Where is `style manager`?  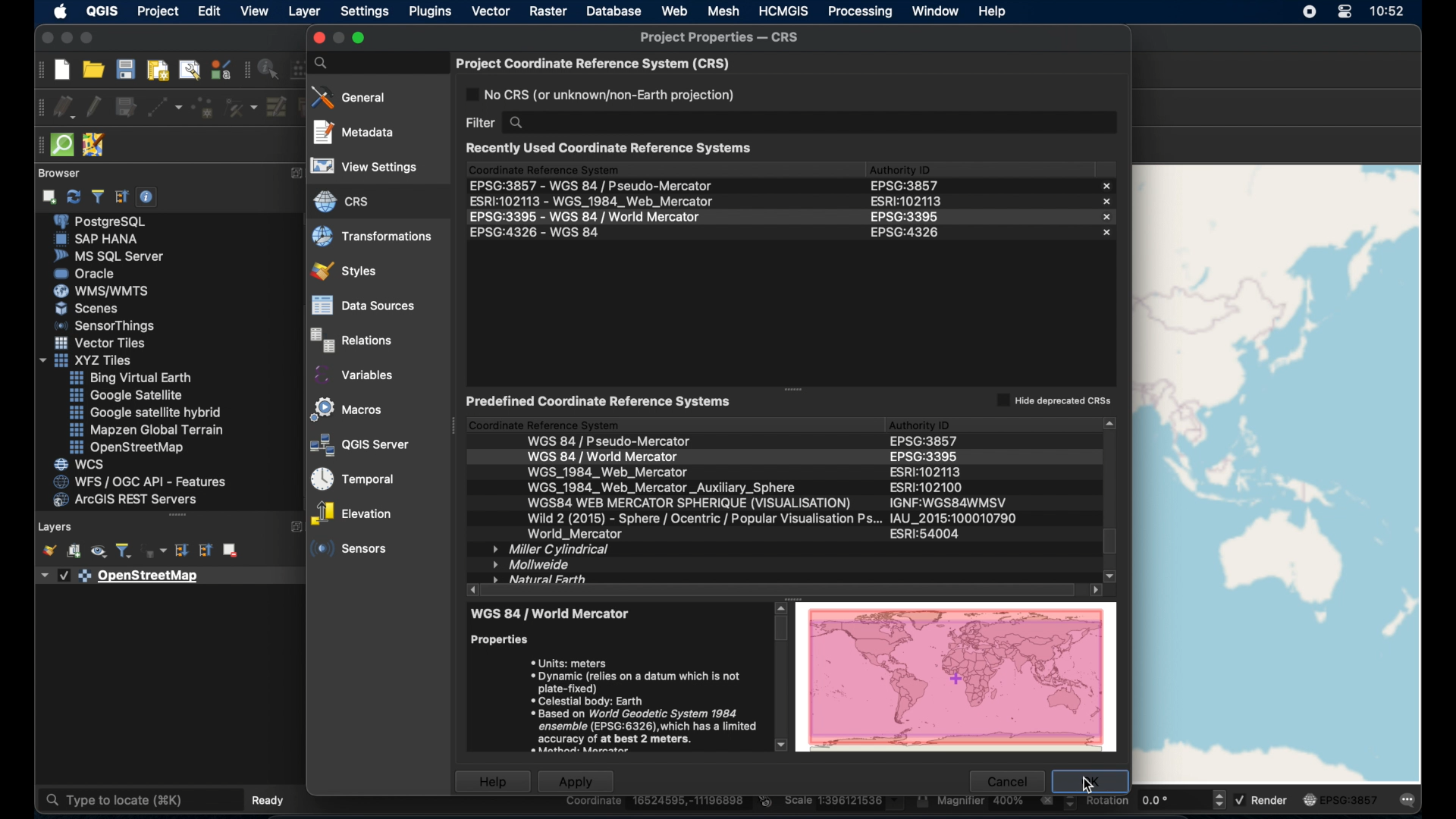 style manager is located at coordinates (220, 69).